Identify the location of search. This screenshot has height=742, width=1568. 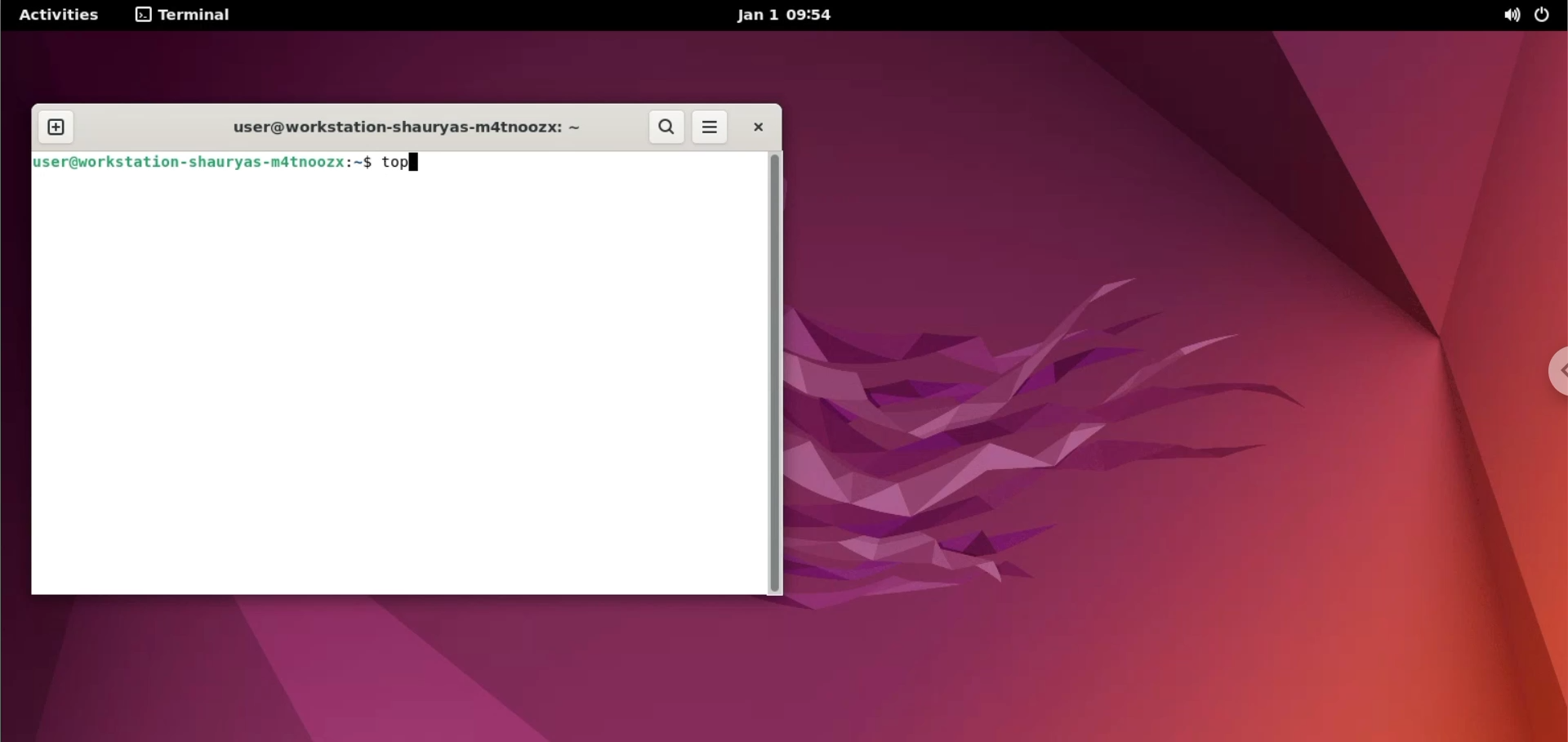
(663, 127).